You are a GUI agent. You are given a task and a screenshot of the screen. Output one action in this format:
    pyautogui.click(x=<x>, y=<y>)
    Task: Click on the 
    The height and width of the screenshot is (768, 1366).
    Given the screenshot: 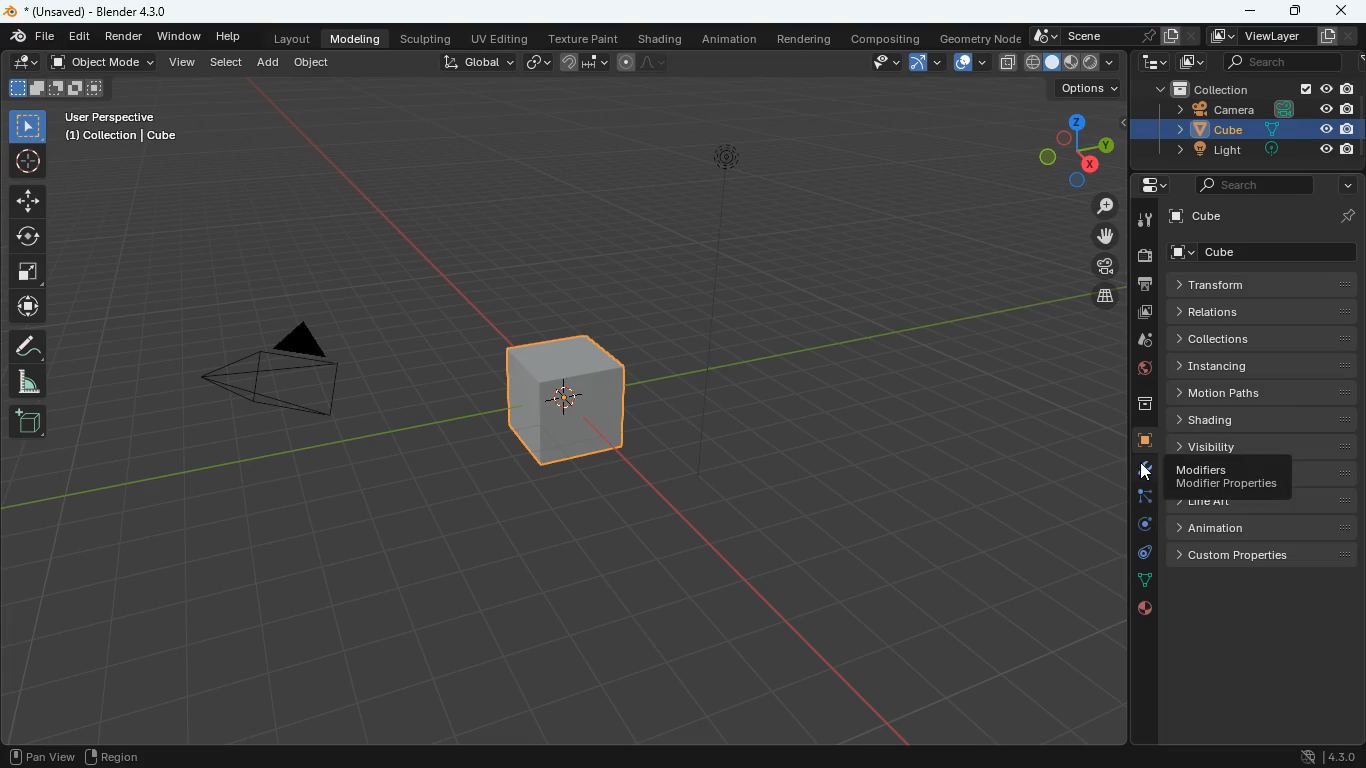 What is the action you would take?
    pyautogui.click(x=1322, y=149)
    